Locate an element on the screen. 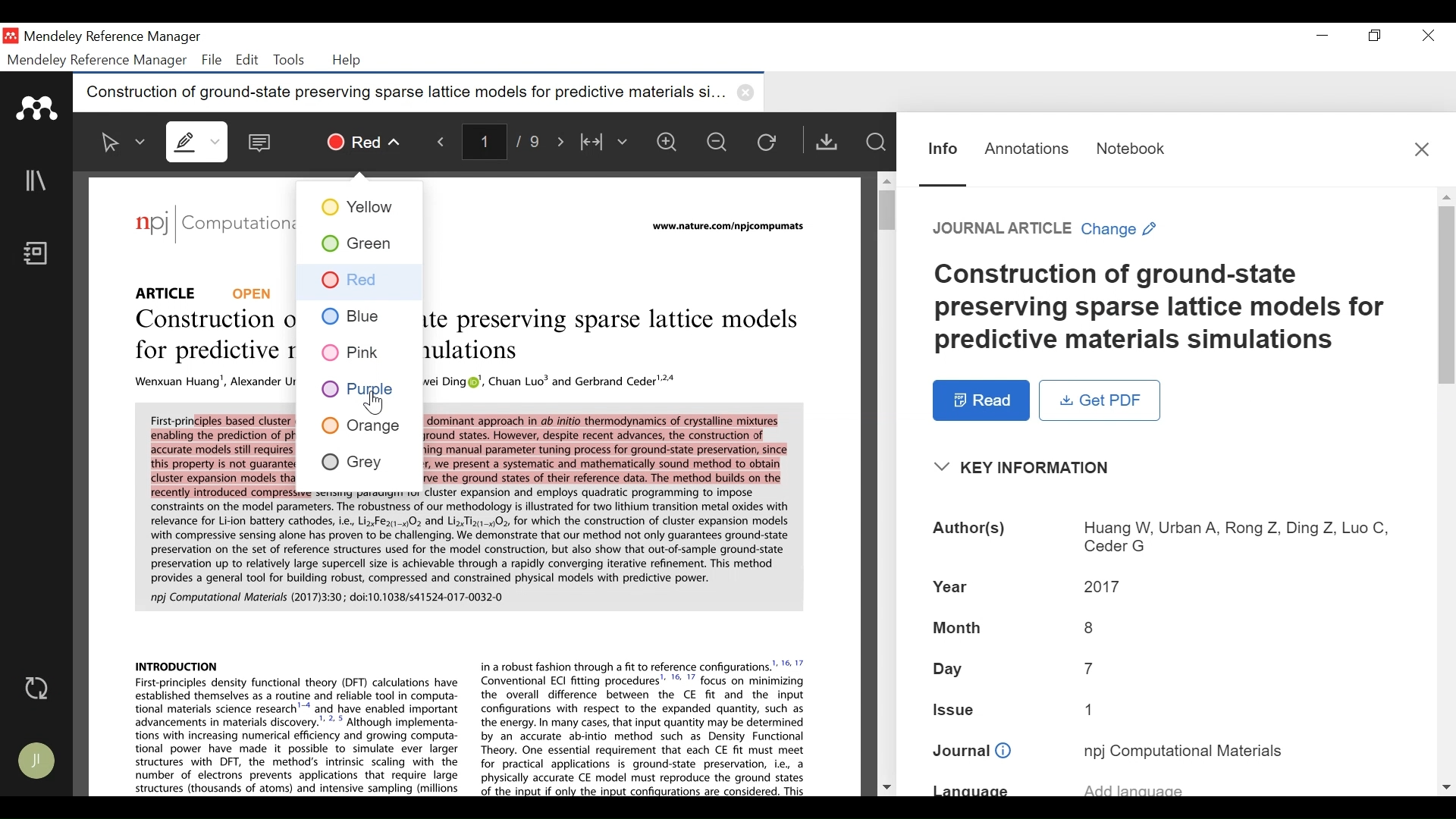  Navigate Backward is located at coordinates (442, 143).